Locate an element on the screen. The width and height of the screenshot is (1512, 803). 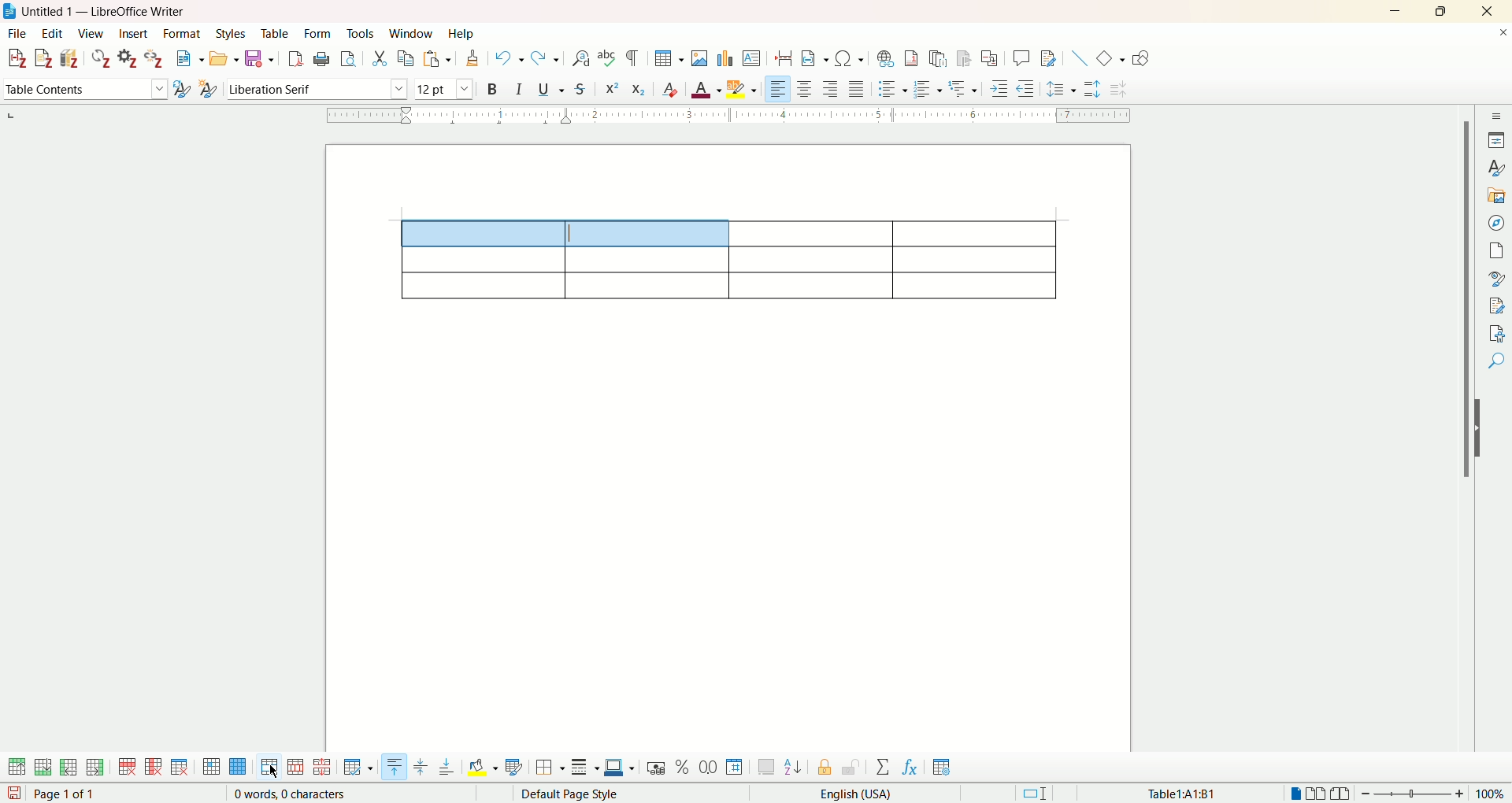
update selected style is located at coordinates (180, 90).